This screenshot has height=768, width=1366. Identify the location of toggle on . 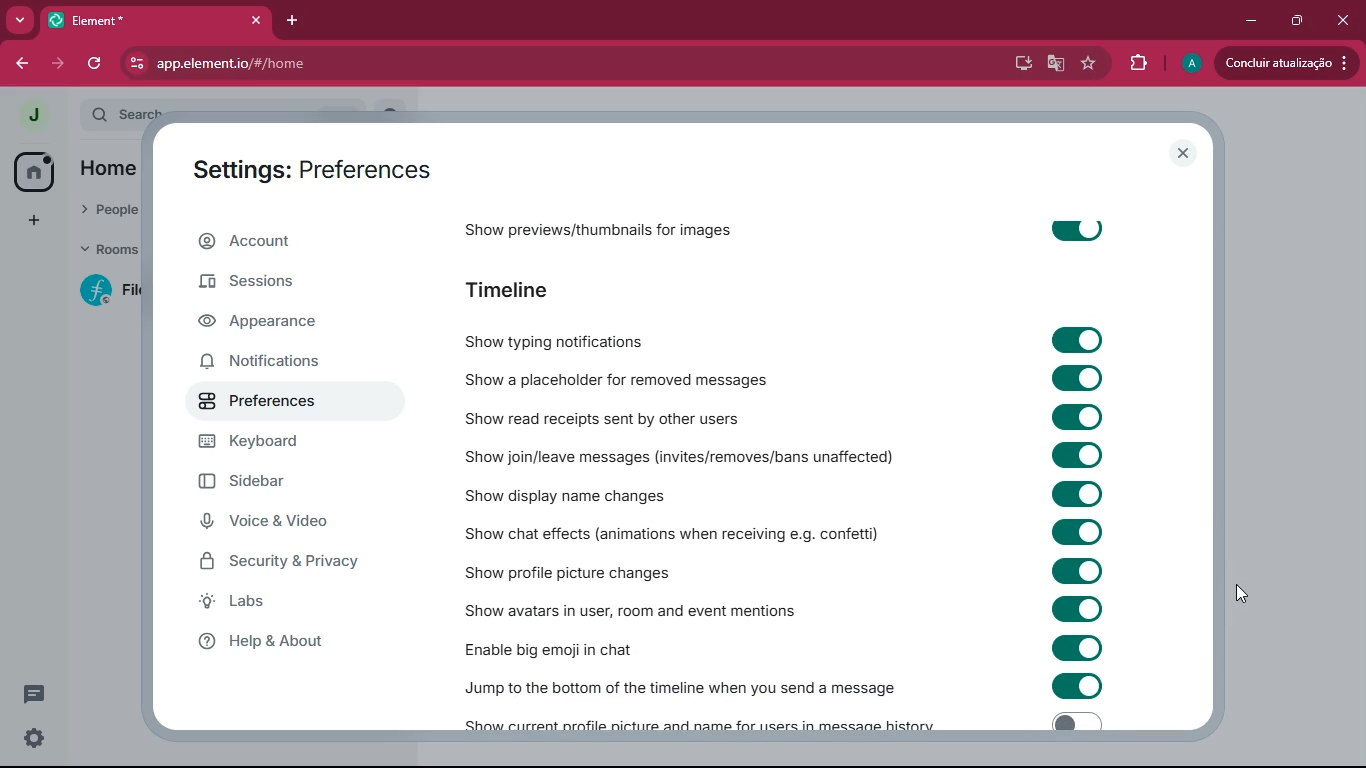
(1074, 227).